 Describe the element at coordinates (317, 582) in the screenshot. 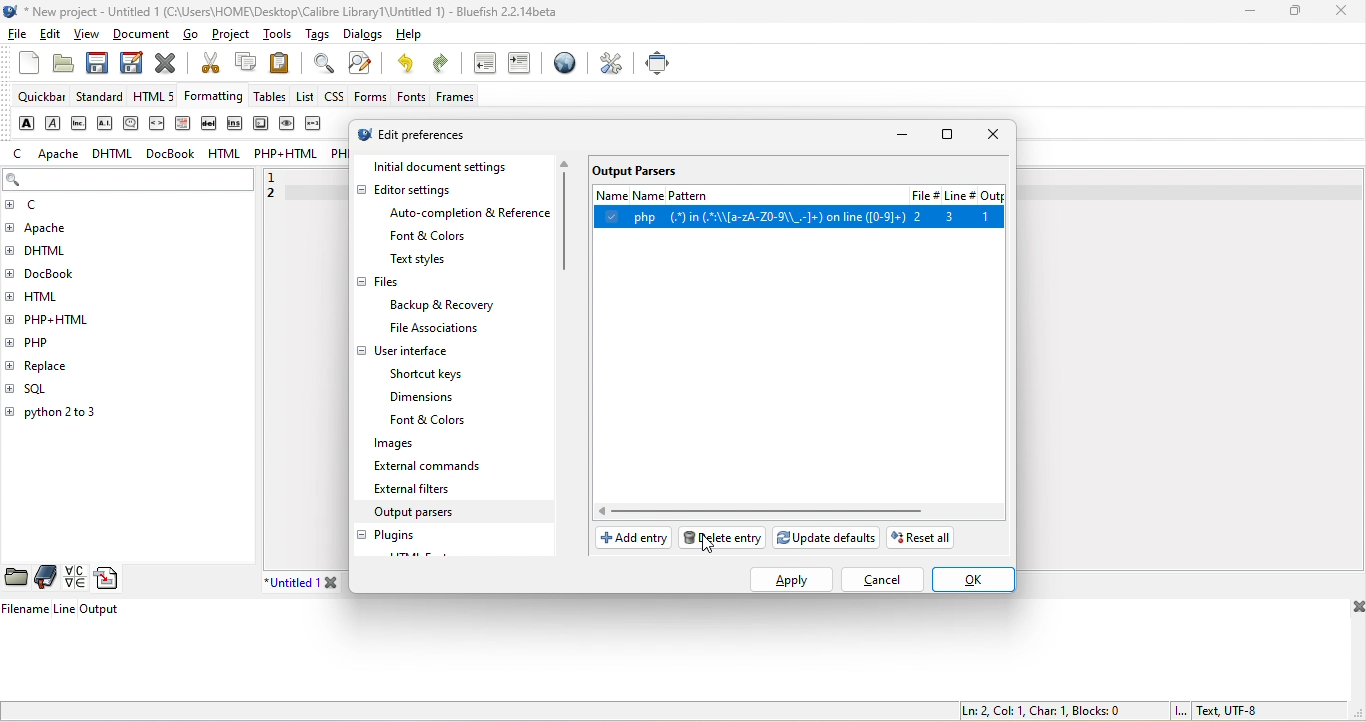

I see `untitled` at that location.